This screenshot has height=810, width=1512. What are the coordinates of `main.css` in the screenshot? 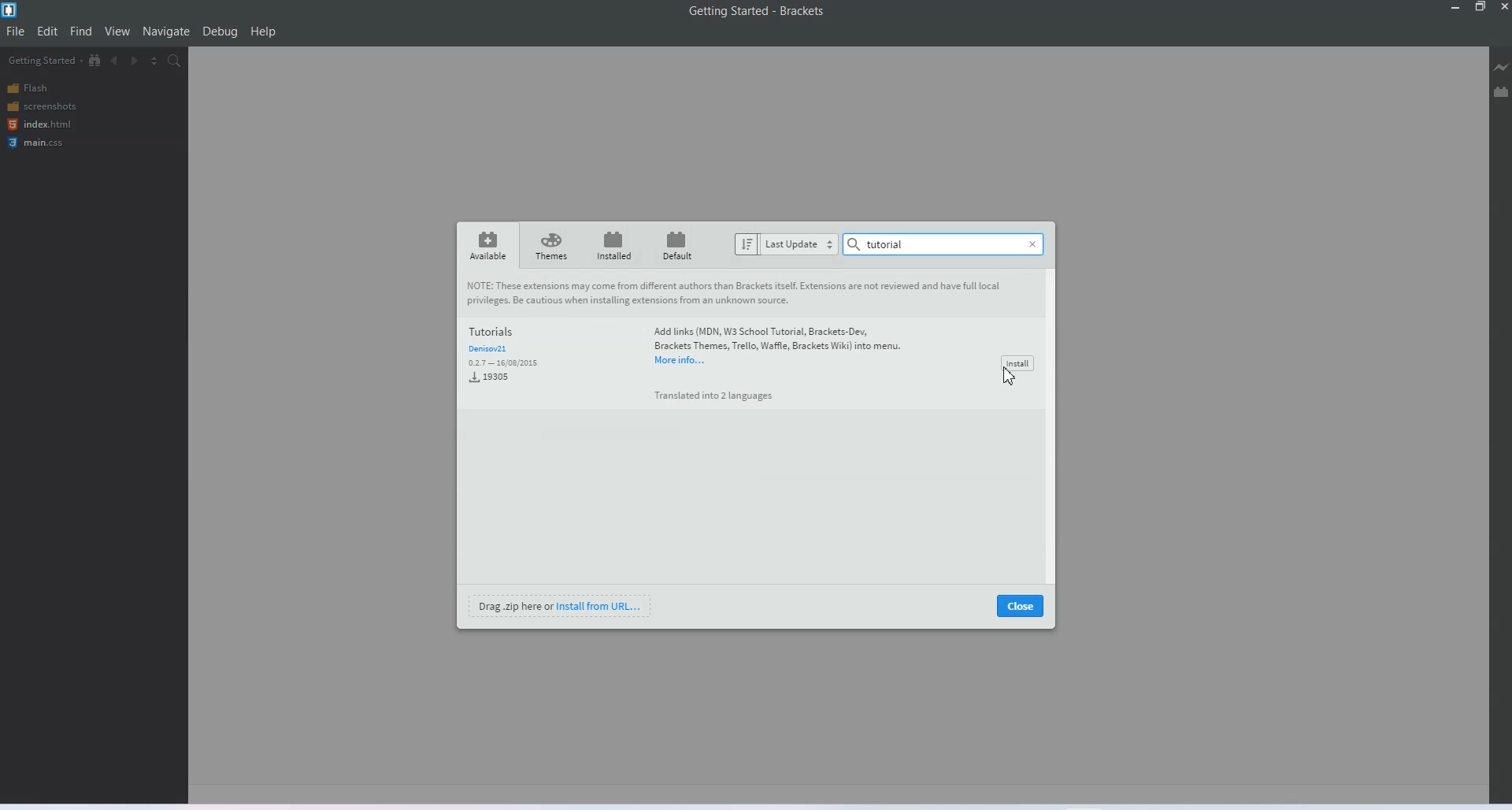 It's located at (40, 143).